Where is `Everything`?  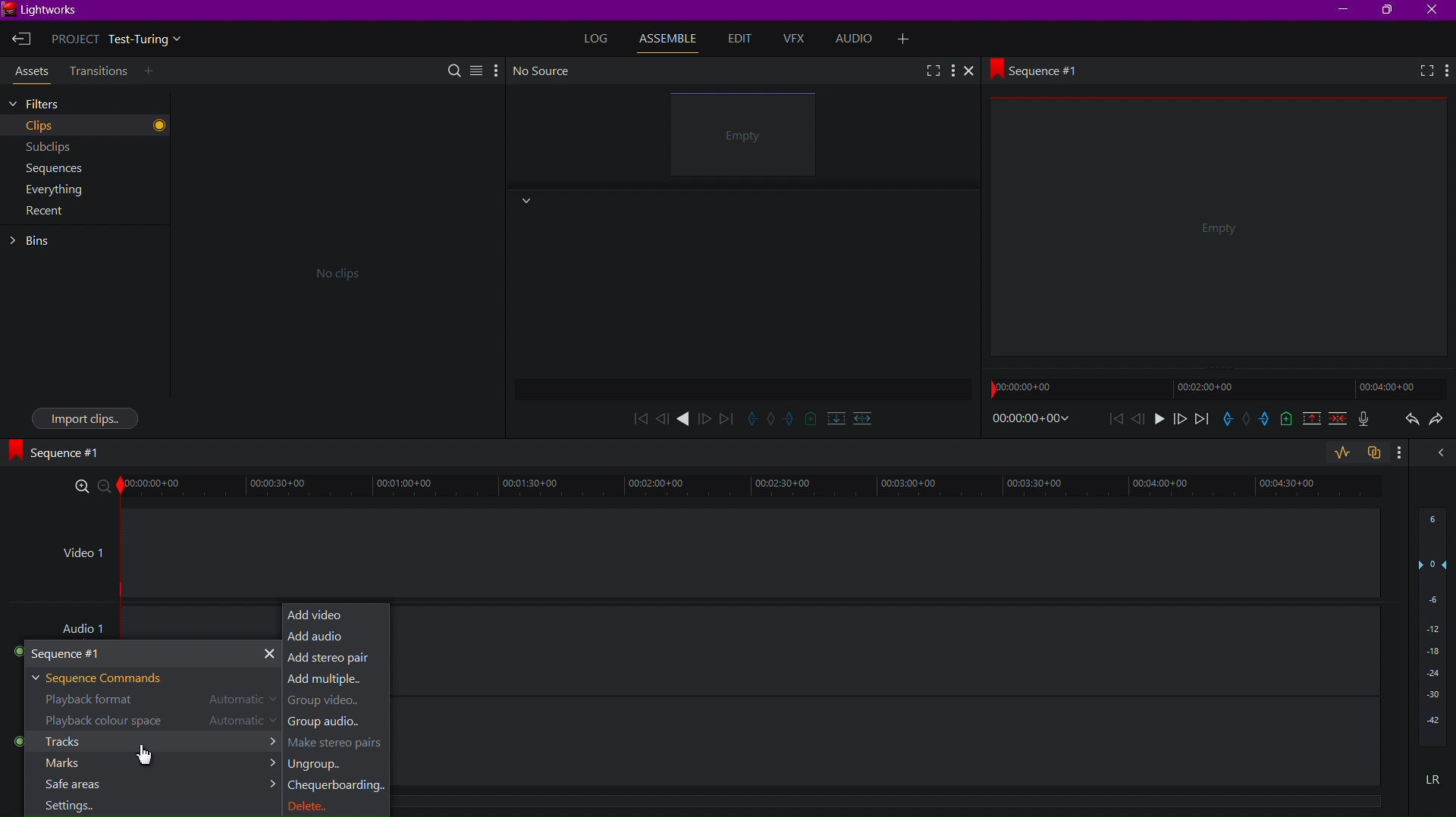
Everything is located at coordinates (52, 193).